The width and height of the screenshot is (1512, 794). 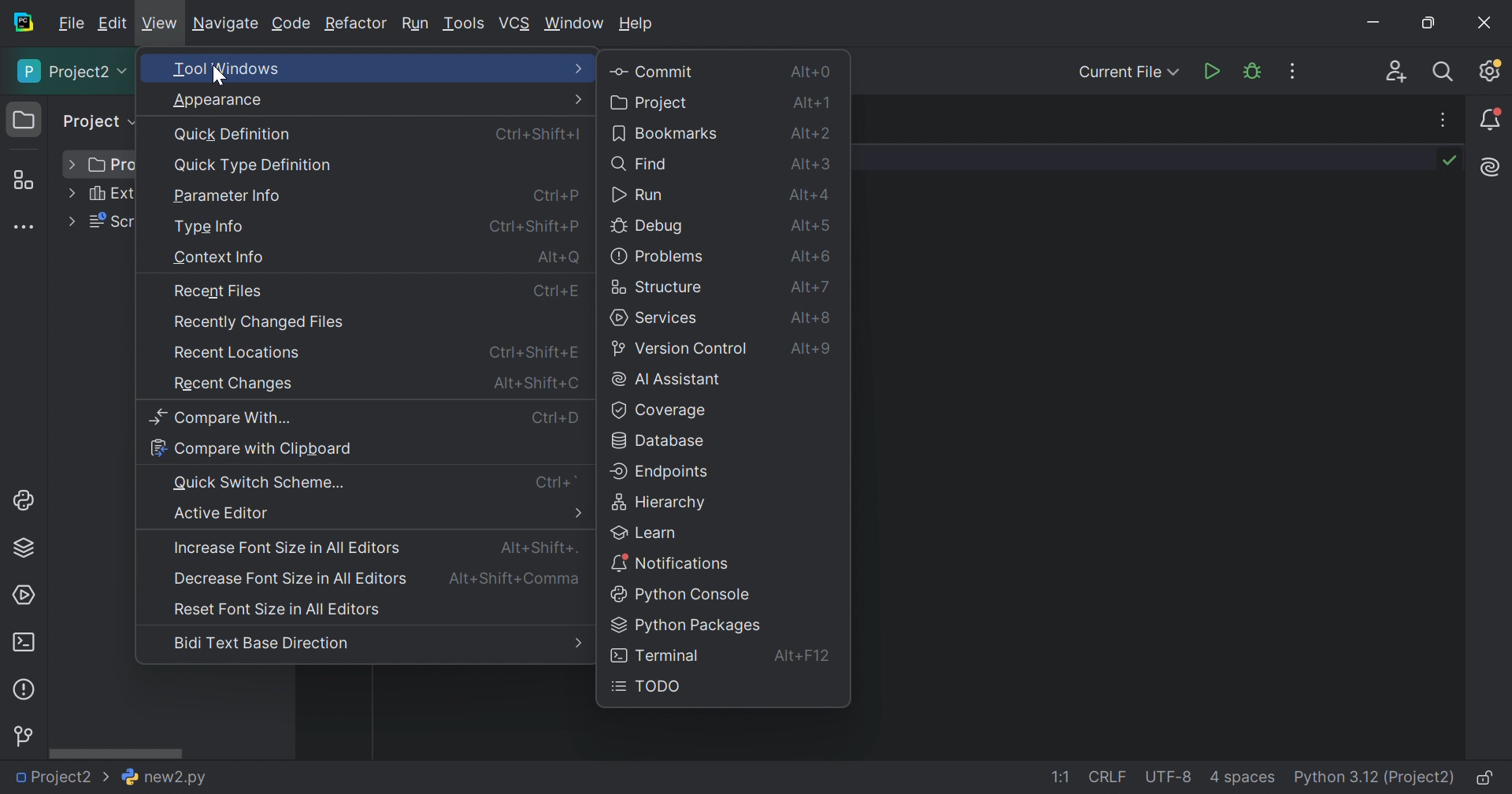 What do you see at coordinates (1431, 24) in the screenshot?
I see `Restore down` at bounding box center [1431, 24].